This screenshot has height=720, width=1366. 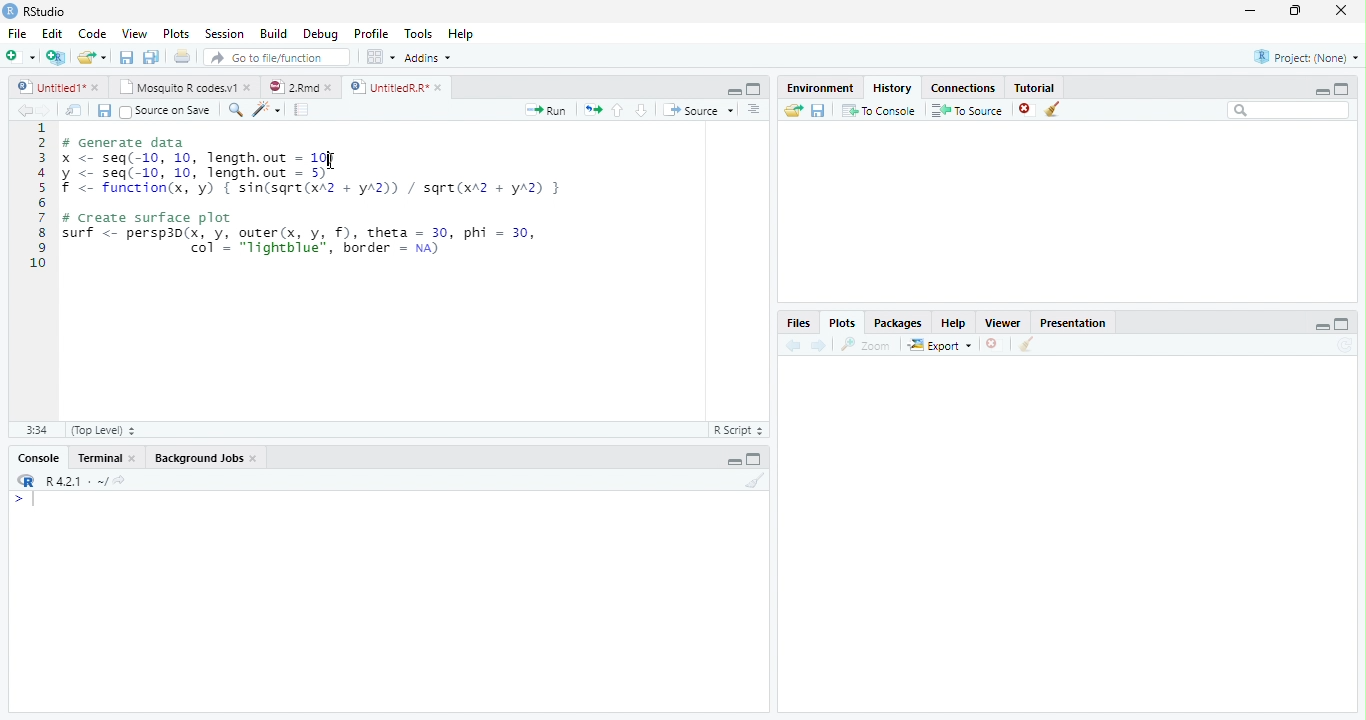 What do you see at coordinates (1306, 57) in the screenshot?
I see `Project: (None)` at bounding box center [1306, 57].